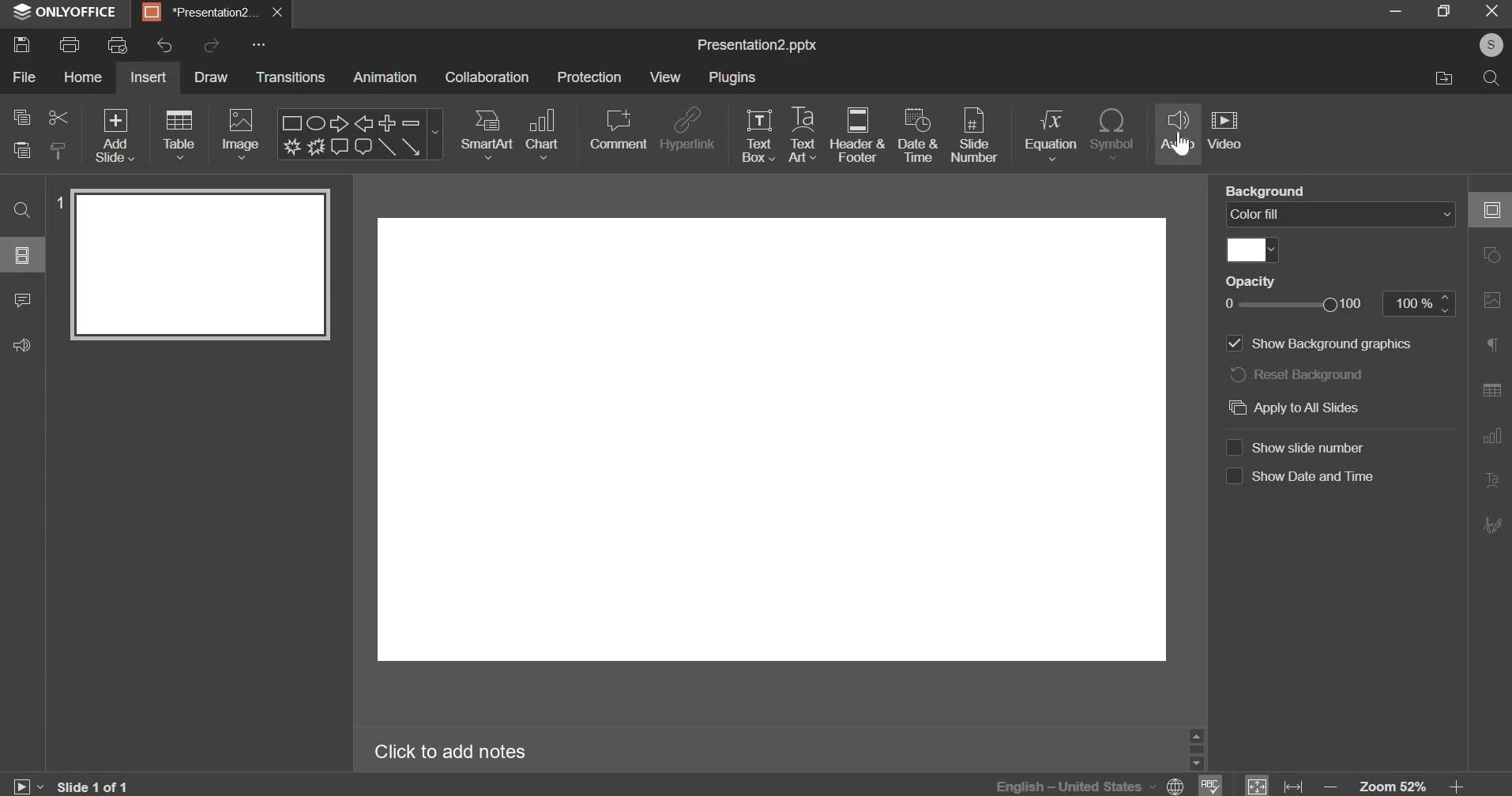 This screenshot has height=796, width=1512. I want to click on editor, so click(770, 440).